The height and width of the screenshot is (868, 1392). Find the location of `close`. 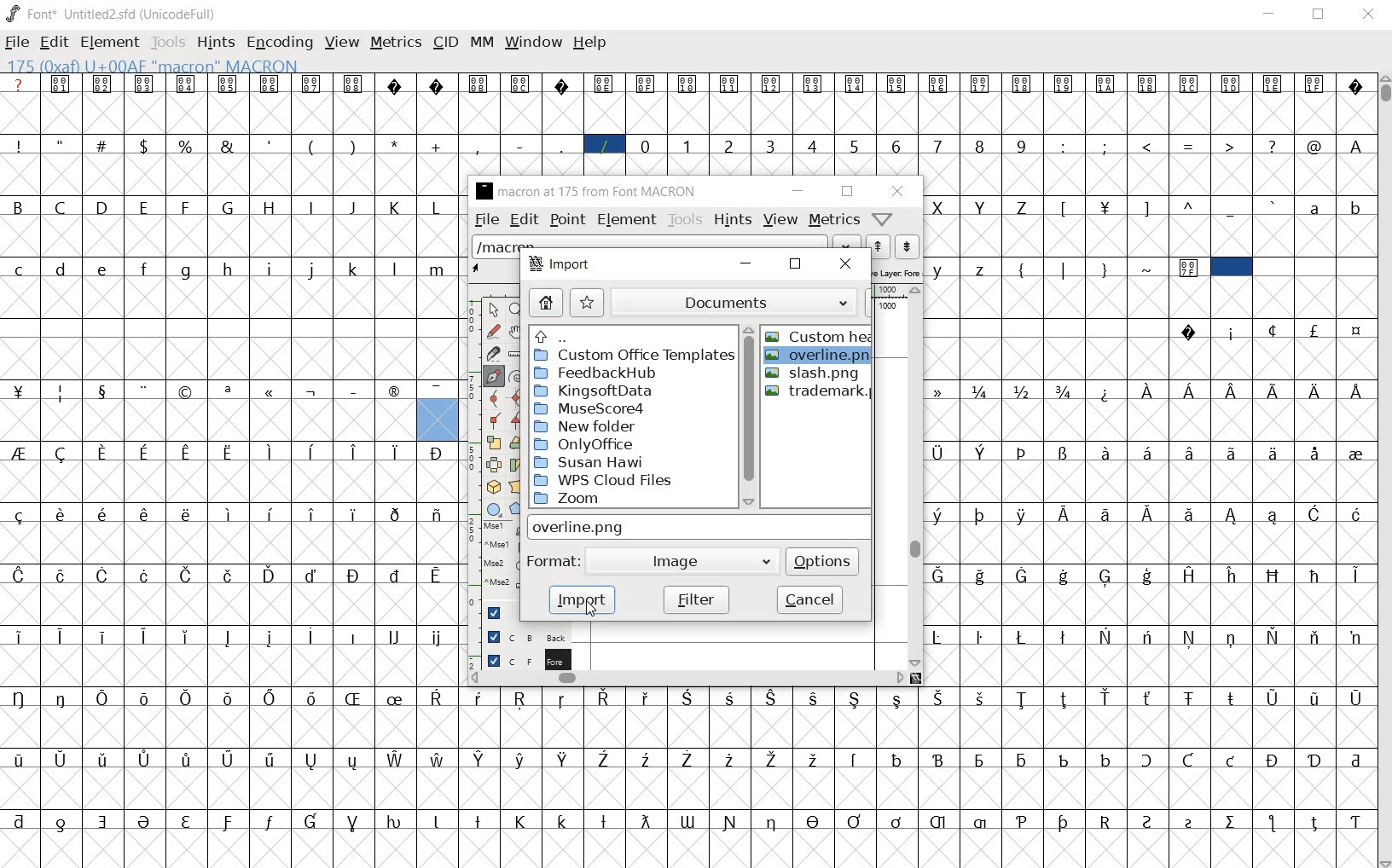

close is located at coordinates (848, 264).